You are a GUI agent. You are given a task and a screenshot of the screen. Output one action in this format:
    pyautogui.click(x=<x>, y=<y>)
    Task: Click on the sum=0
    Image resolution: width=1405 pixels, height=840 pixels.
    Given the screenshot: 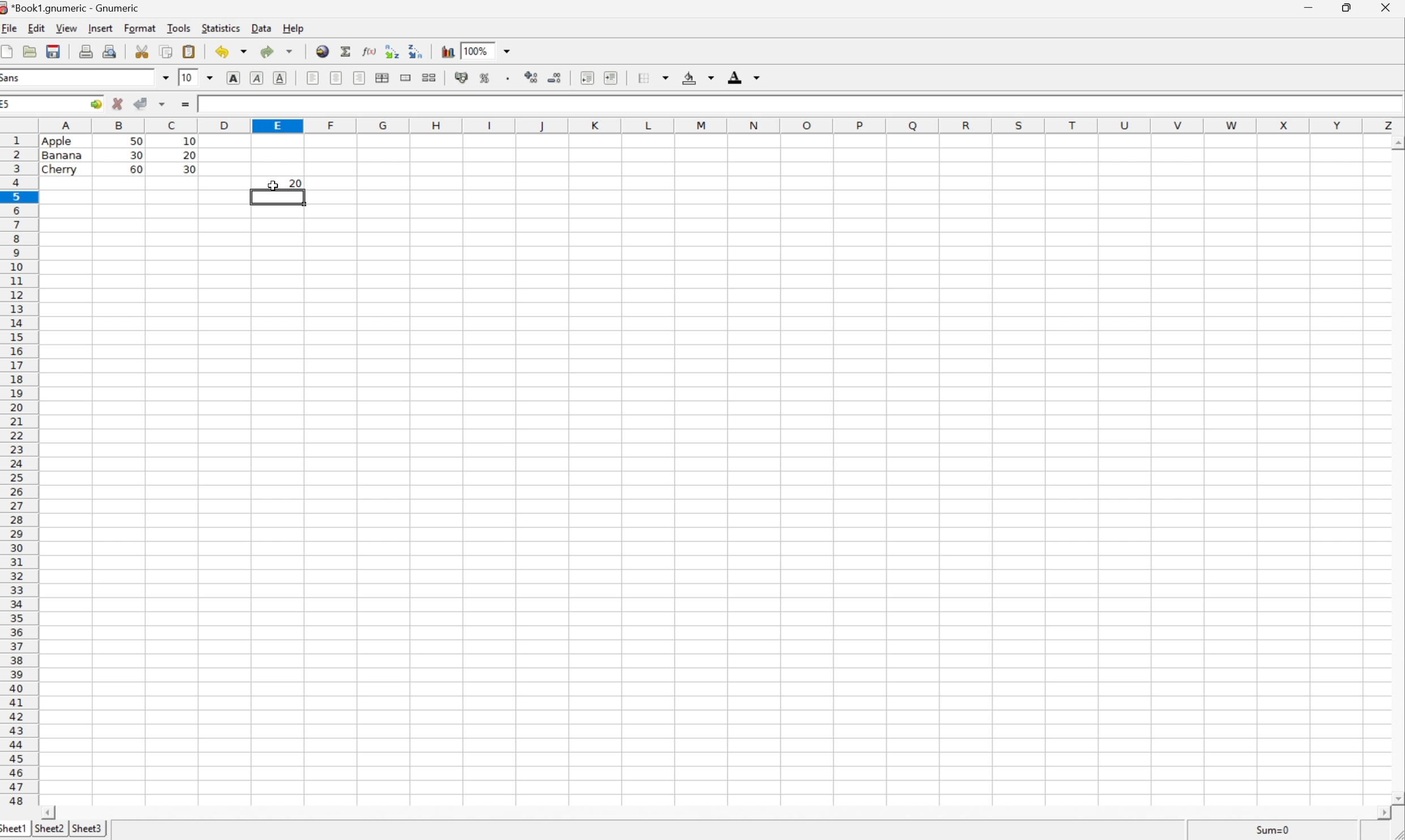 What is the action you would take?
    pyautogui.click(x=1272, y=829)
    